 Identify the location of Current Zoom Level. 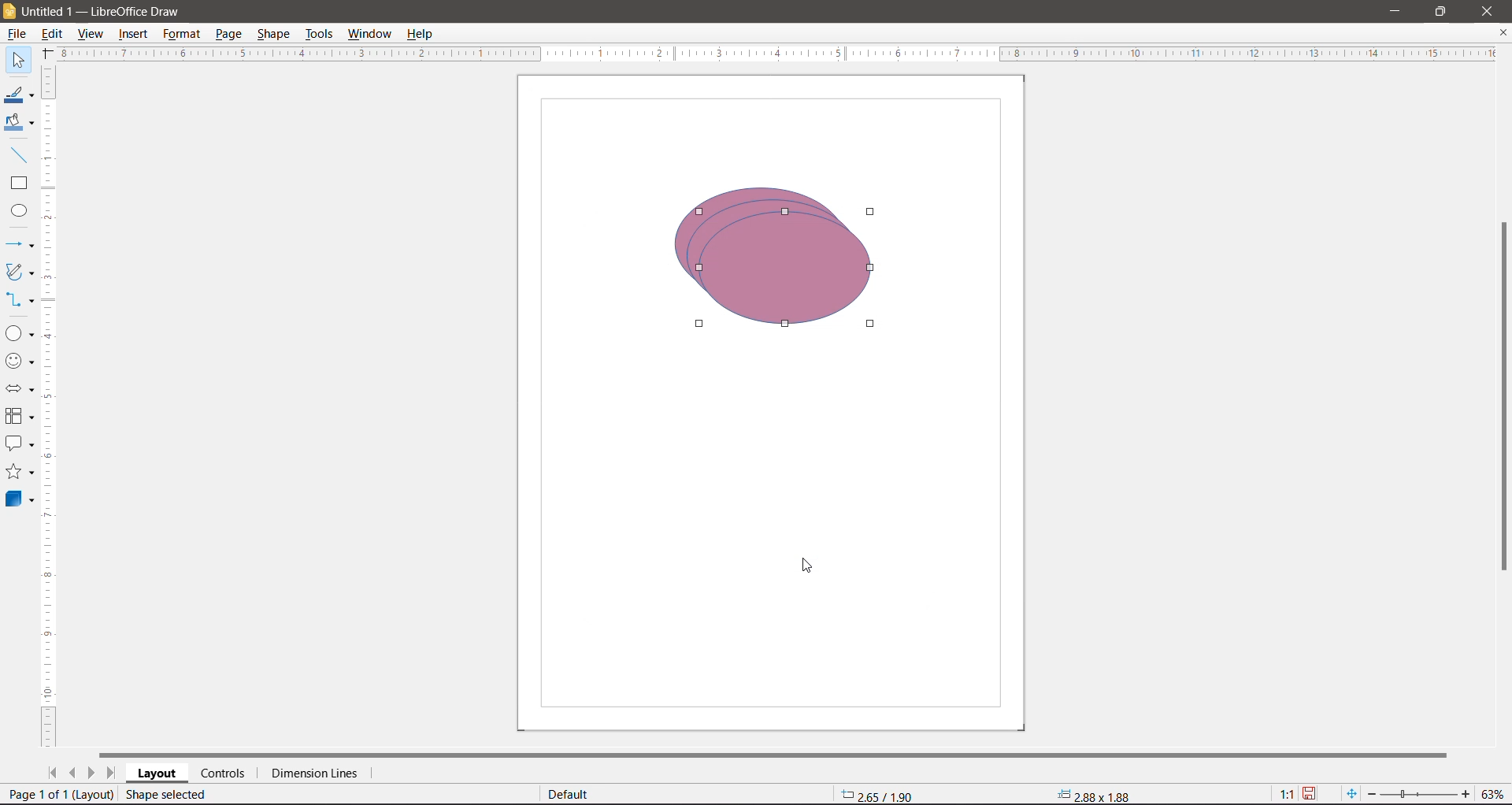
(1492, 795).